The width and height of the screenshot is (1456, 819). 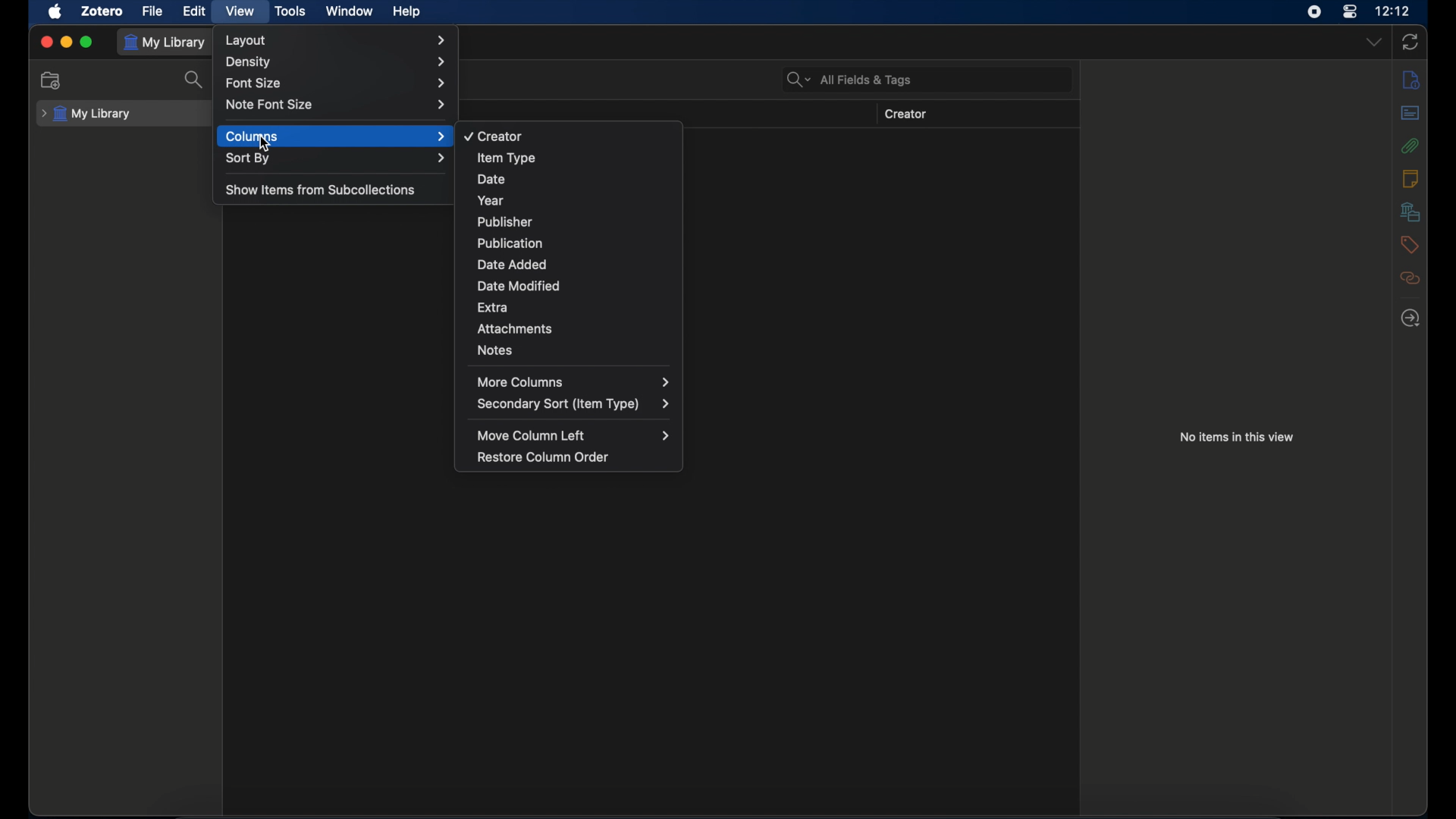 I want to click on window, so click(x=349, y=11).